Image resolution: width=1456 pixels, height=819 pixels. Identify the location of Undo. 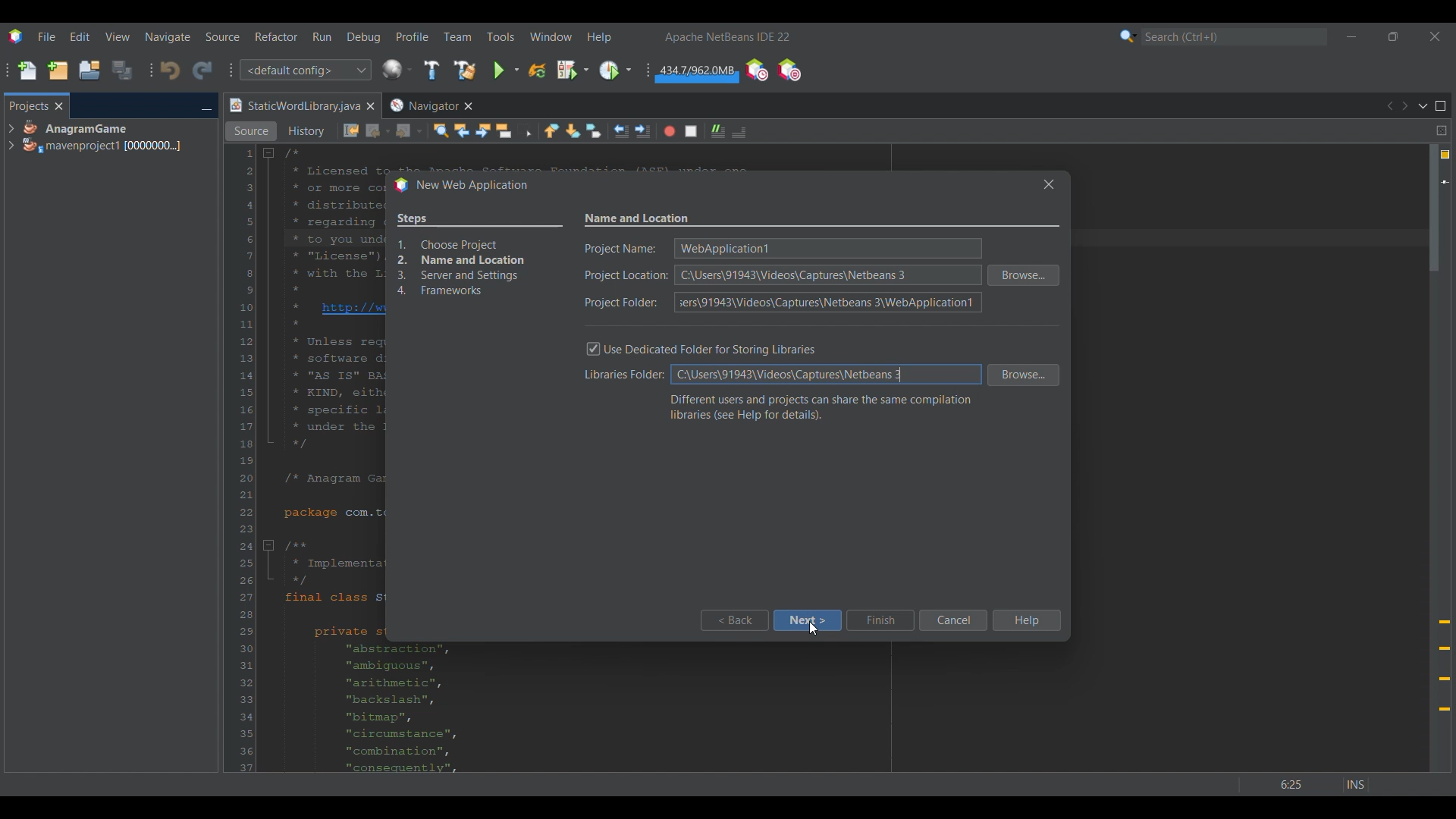
(170, 71).